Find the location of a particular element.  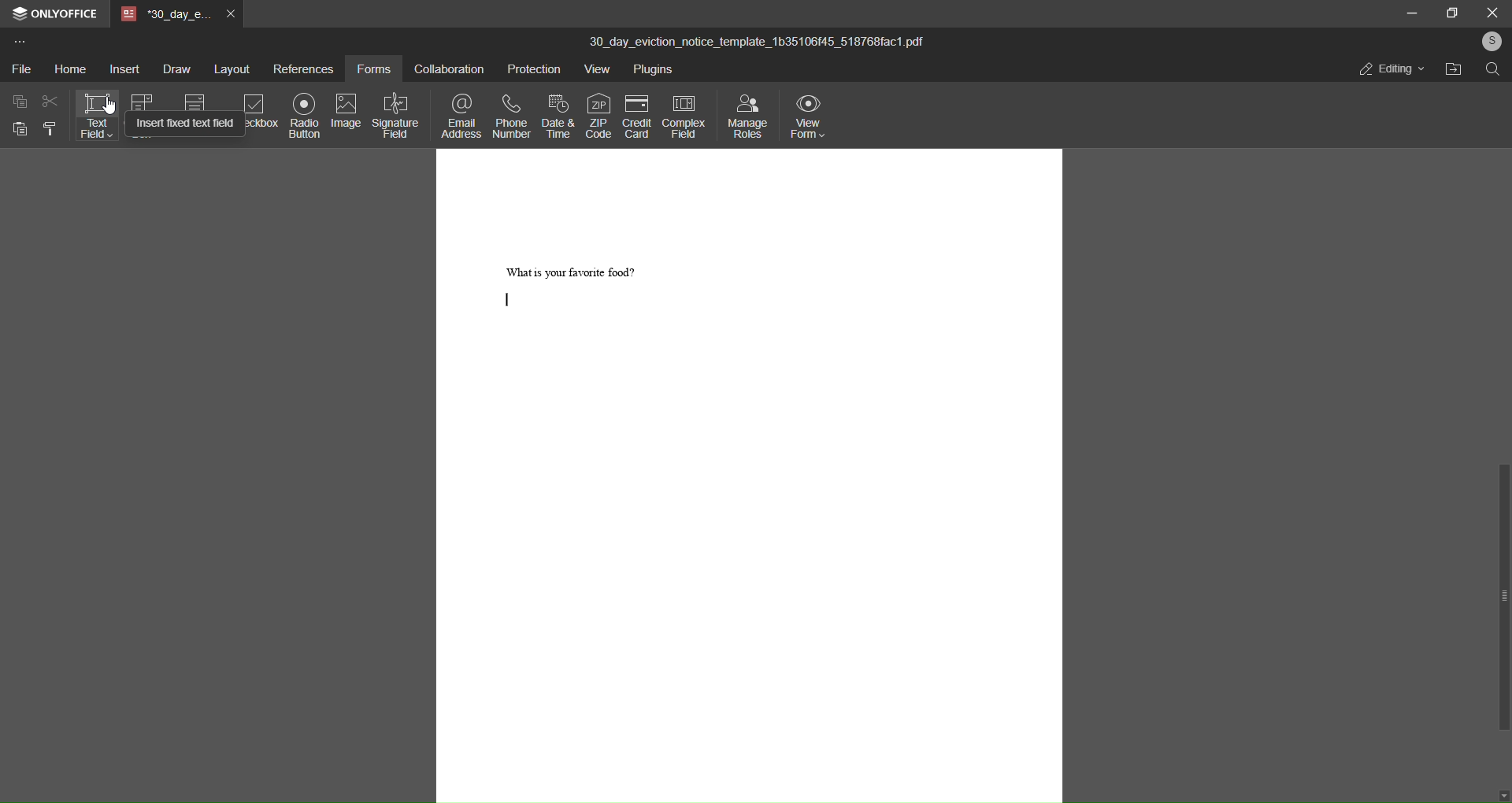

combo box is located at coordinates (143, 102).